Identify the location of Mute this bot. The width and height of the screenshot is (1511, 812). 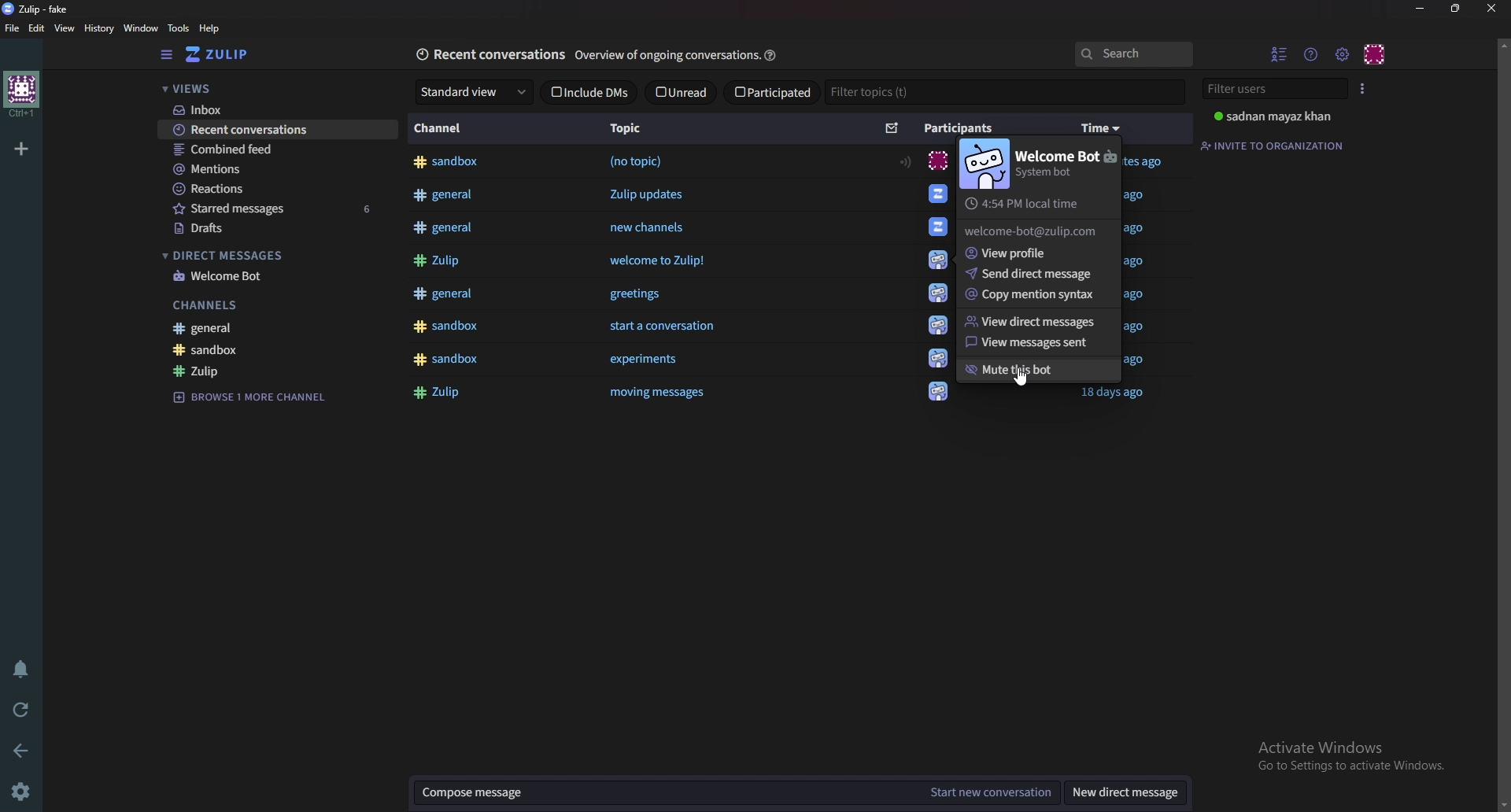
(1032, 369).